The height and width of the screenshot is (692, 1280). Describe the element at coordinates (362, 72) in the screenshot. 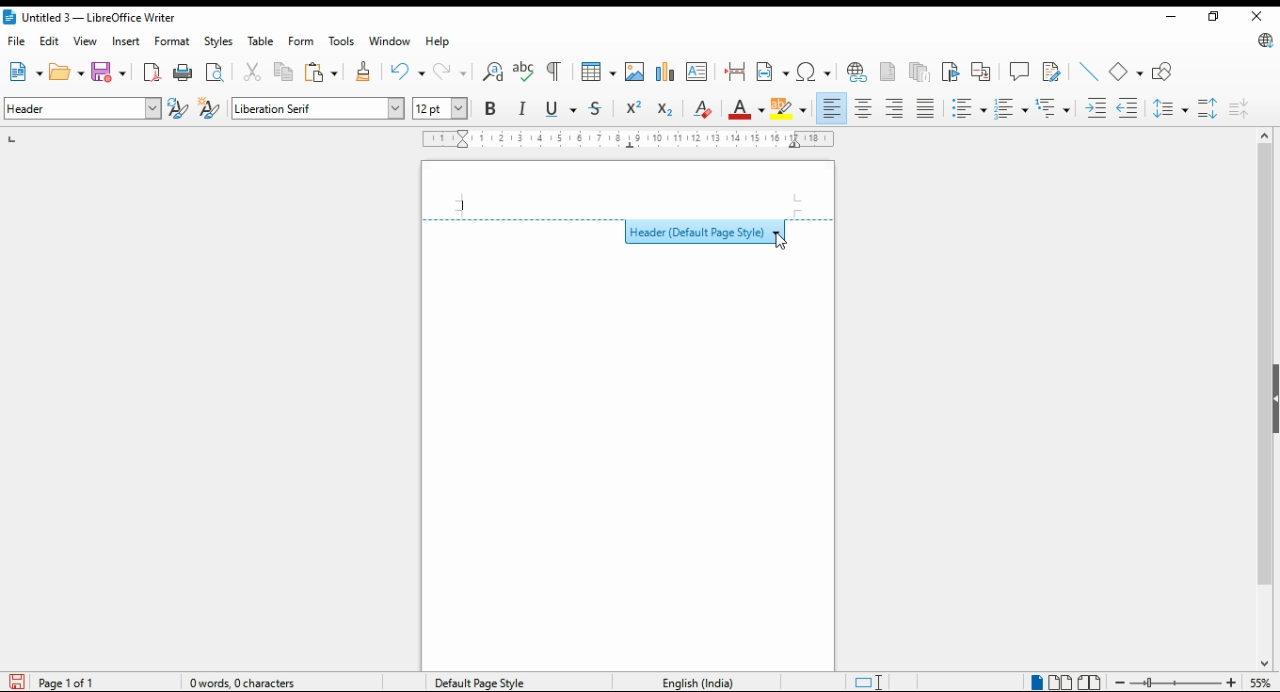

I see `clone formatting` at that location.